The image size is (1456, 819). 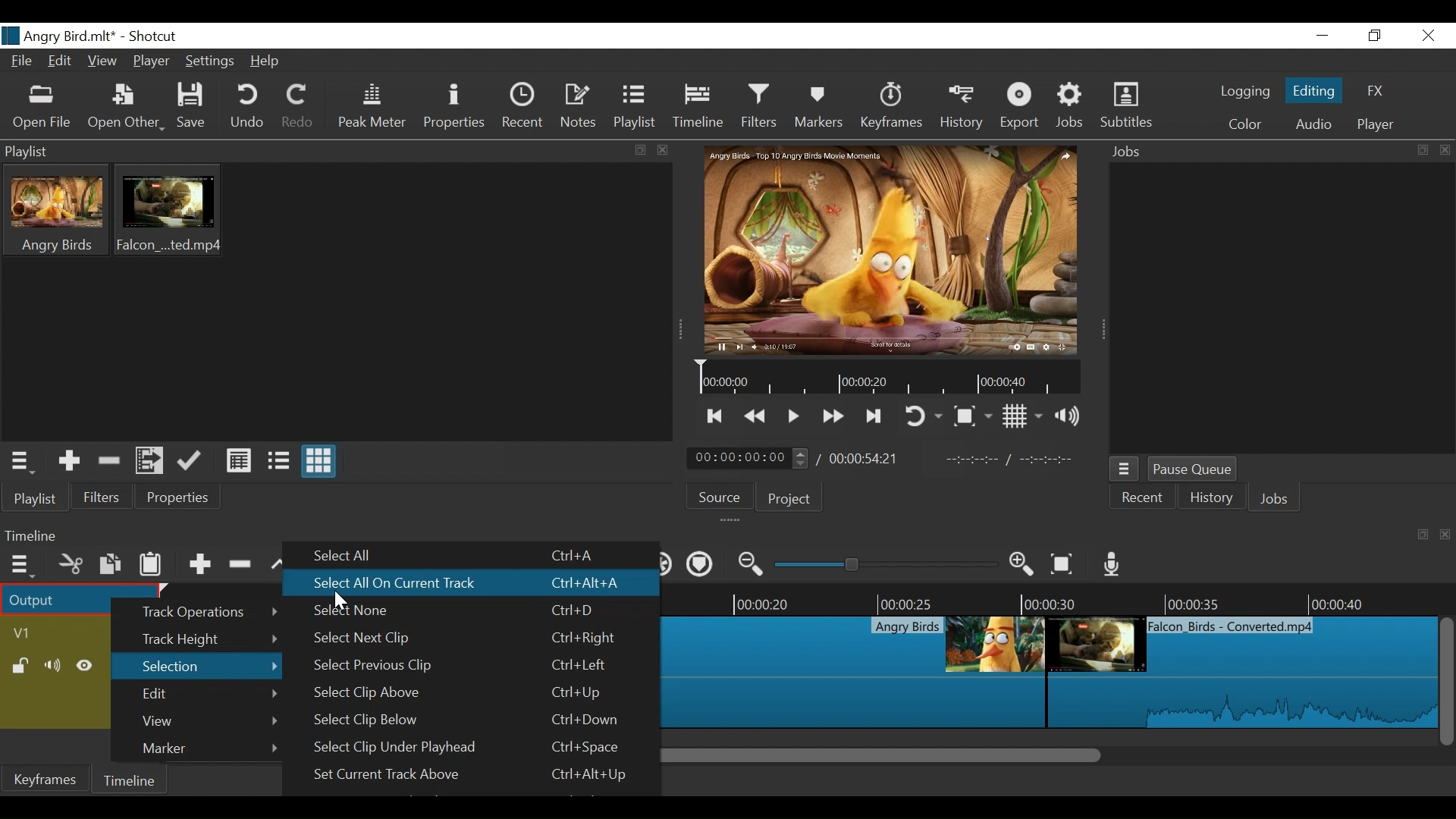 I want to click on Clip, so click(x=1241, y=672).